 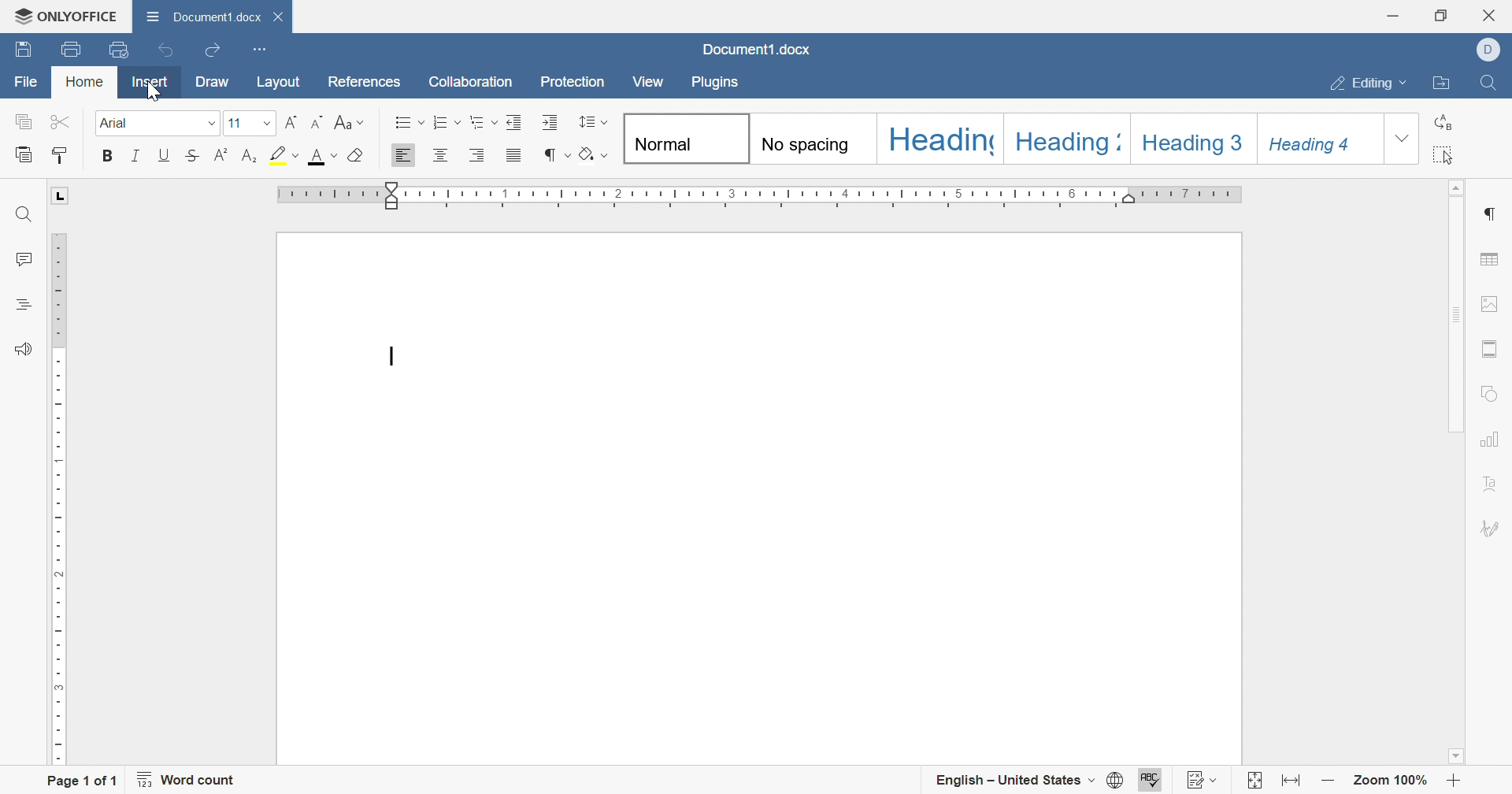 I want to click on Nonprinting characters, so click(x=554, y=152).